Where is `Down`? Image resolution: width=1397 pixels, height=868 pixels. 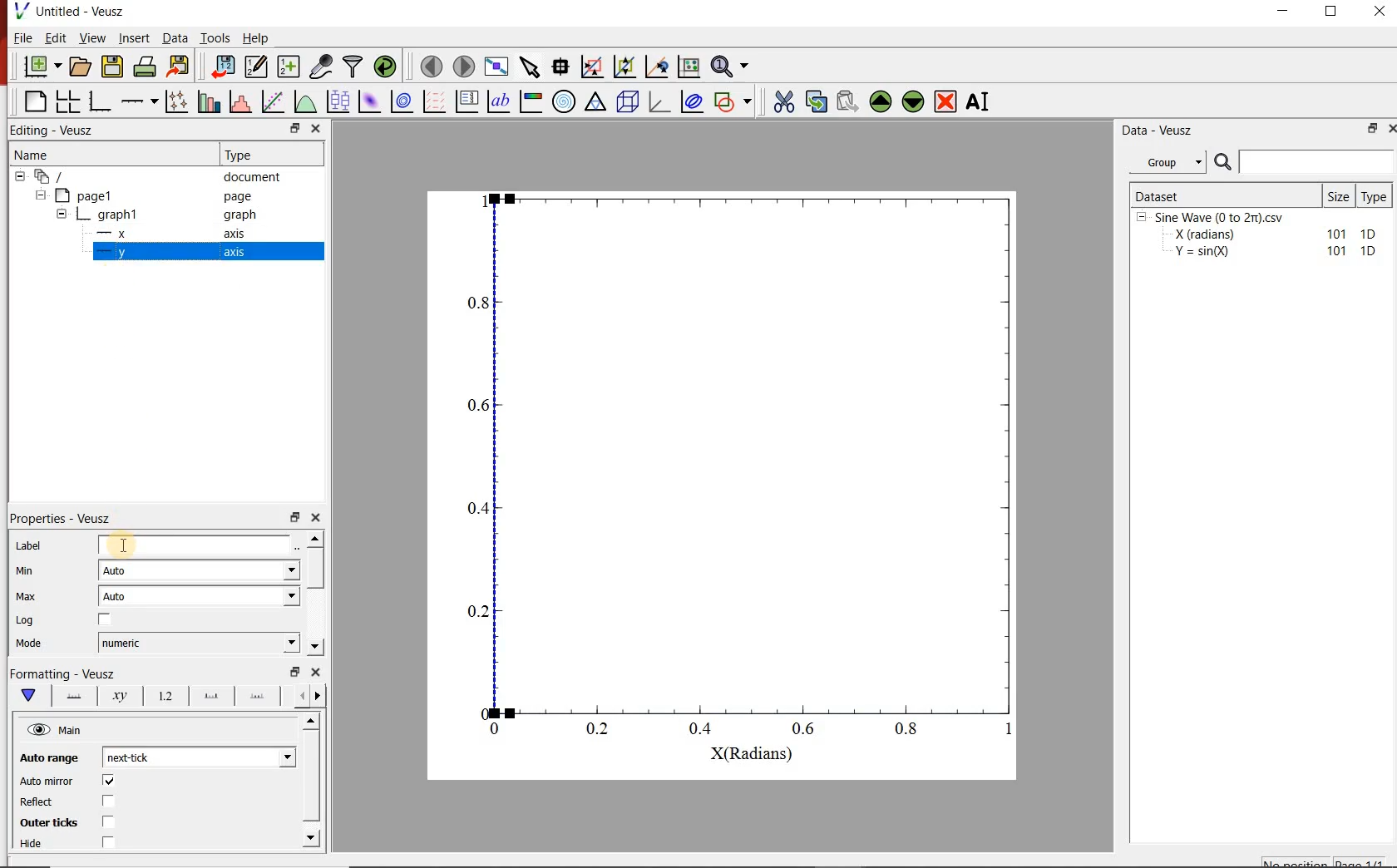
Down is located at coordinates (315, 647).